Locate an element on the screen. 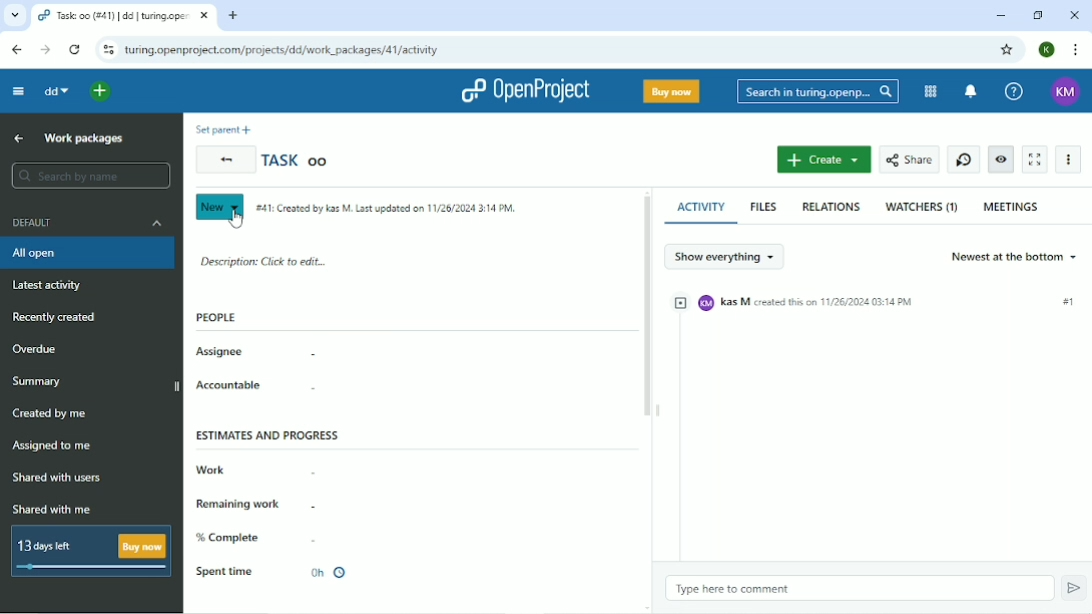  task:oo(#41)|turing.openproject.com is located at coordinates (122, 16).